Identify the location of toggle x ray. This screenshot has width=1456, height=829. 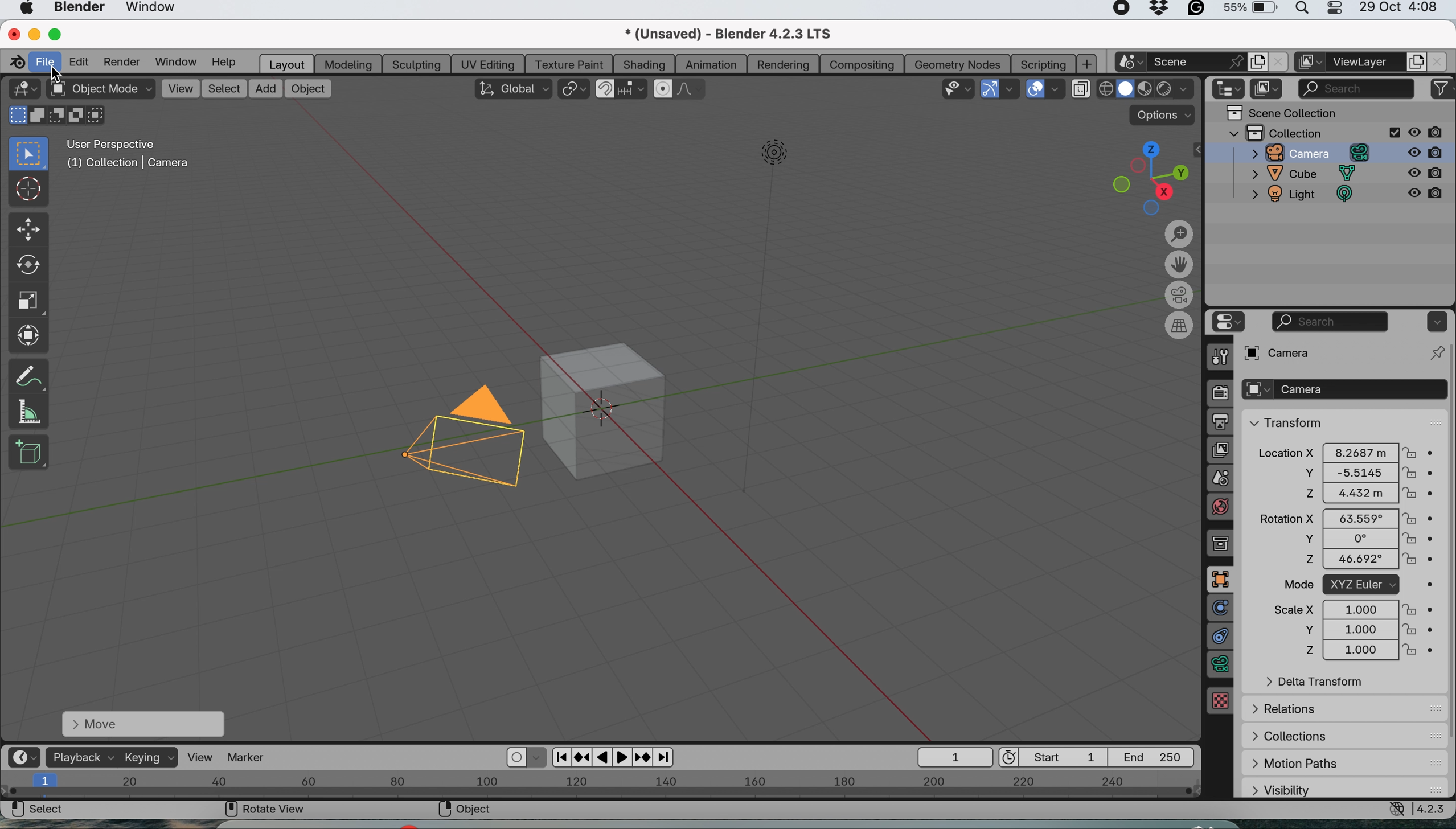
(1080, 91).